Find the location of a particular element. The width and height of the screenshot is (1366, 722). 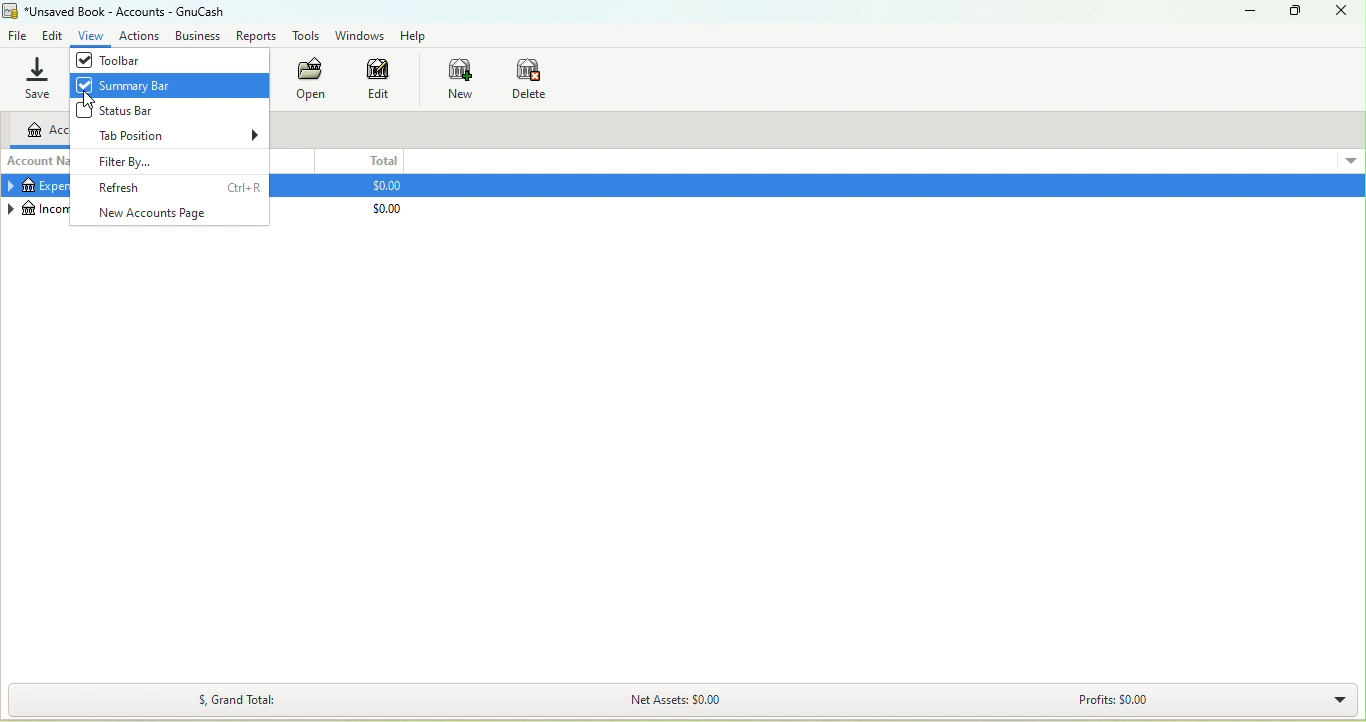

Tab position is located at coordinates (170, 136).